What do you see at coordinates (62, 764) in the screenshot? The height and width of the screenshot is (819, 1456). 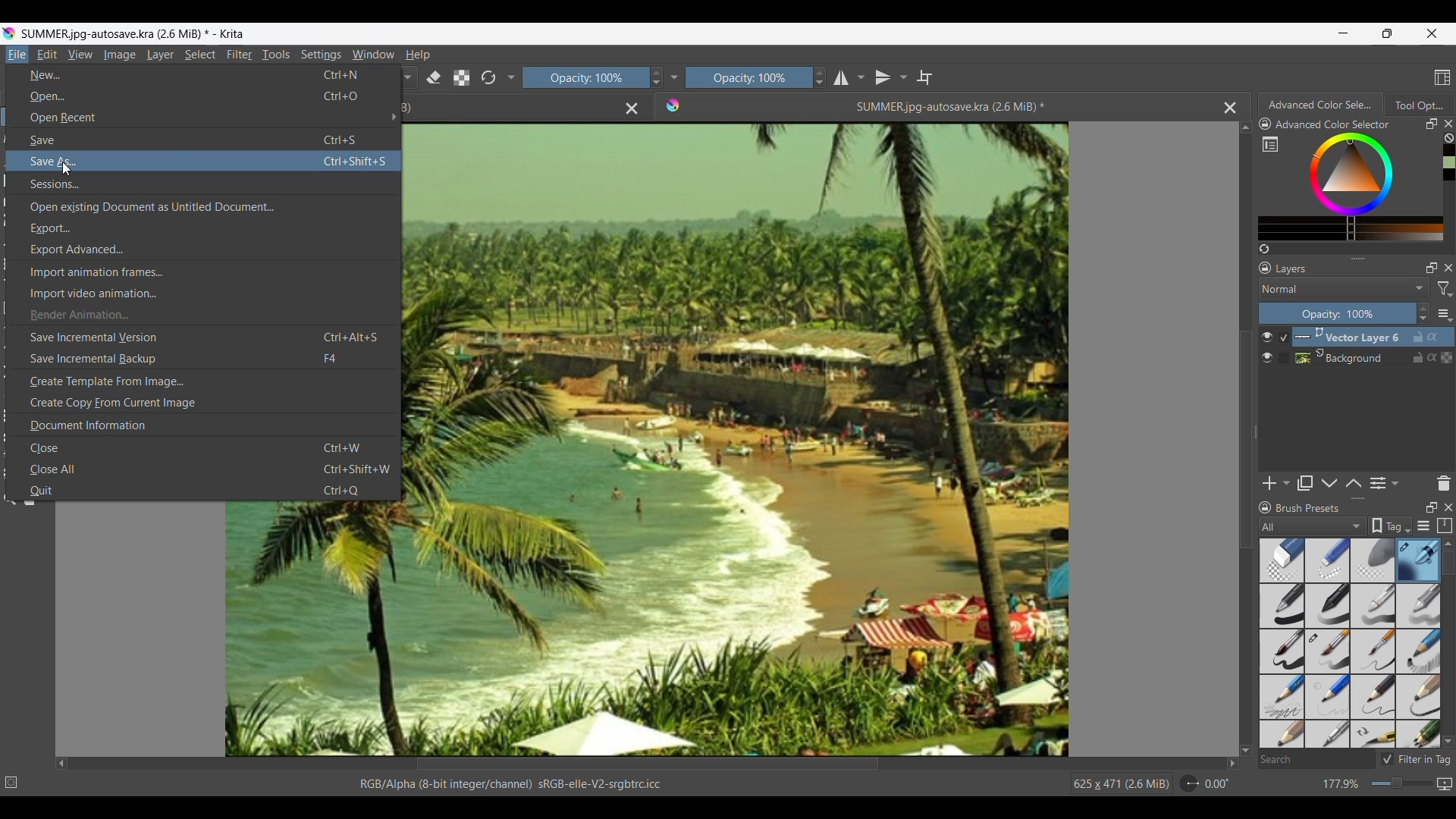 I see `Quick slide to left` at bounding box center [62, 764].